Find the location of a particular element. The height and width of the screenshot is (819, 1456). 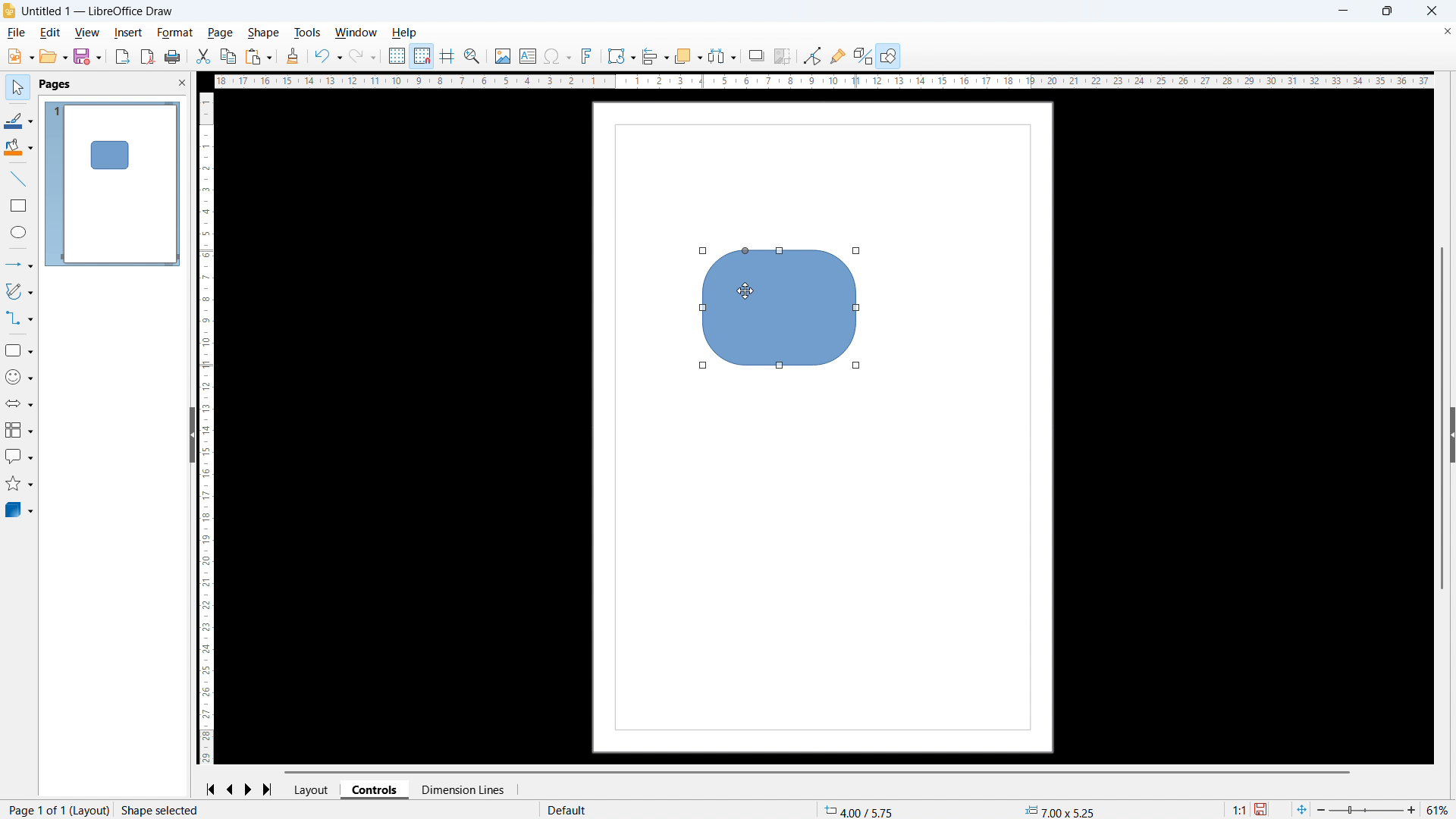

Line colour  is located at coordinates (18, 120).